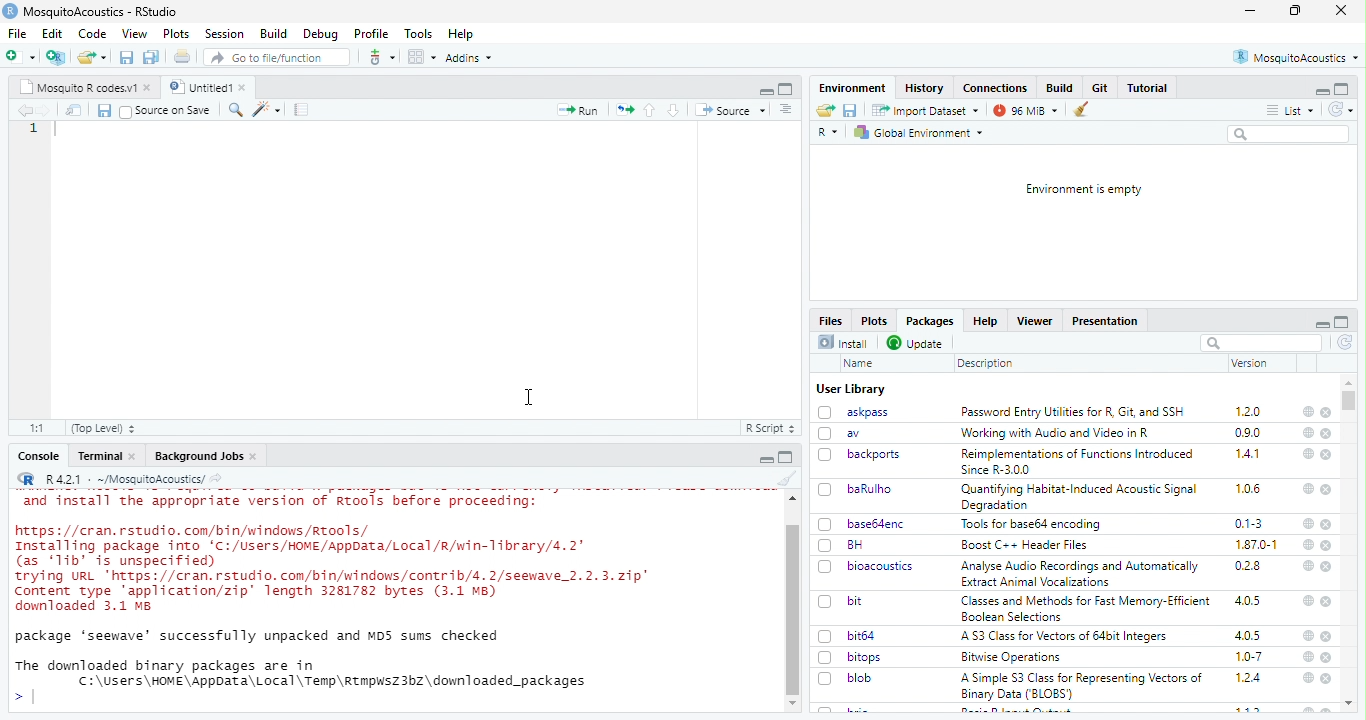 Image resolution: width=1366 pixels, height=720 pixels. I want to click on checkbox, so click(828, 637).